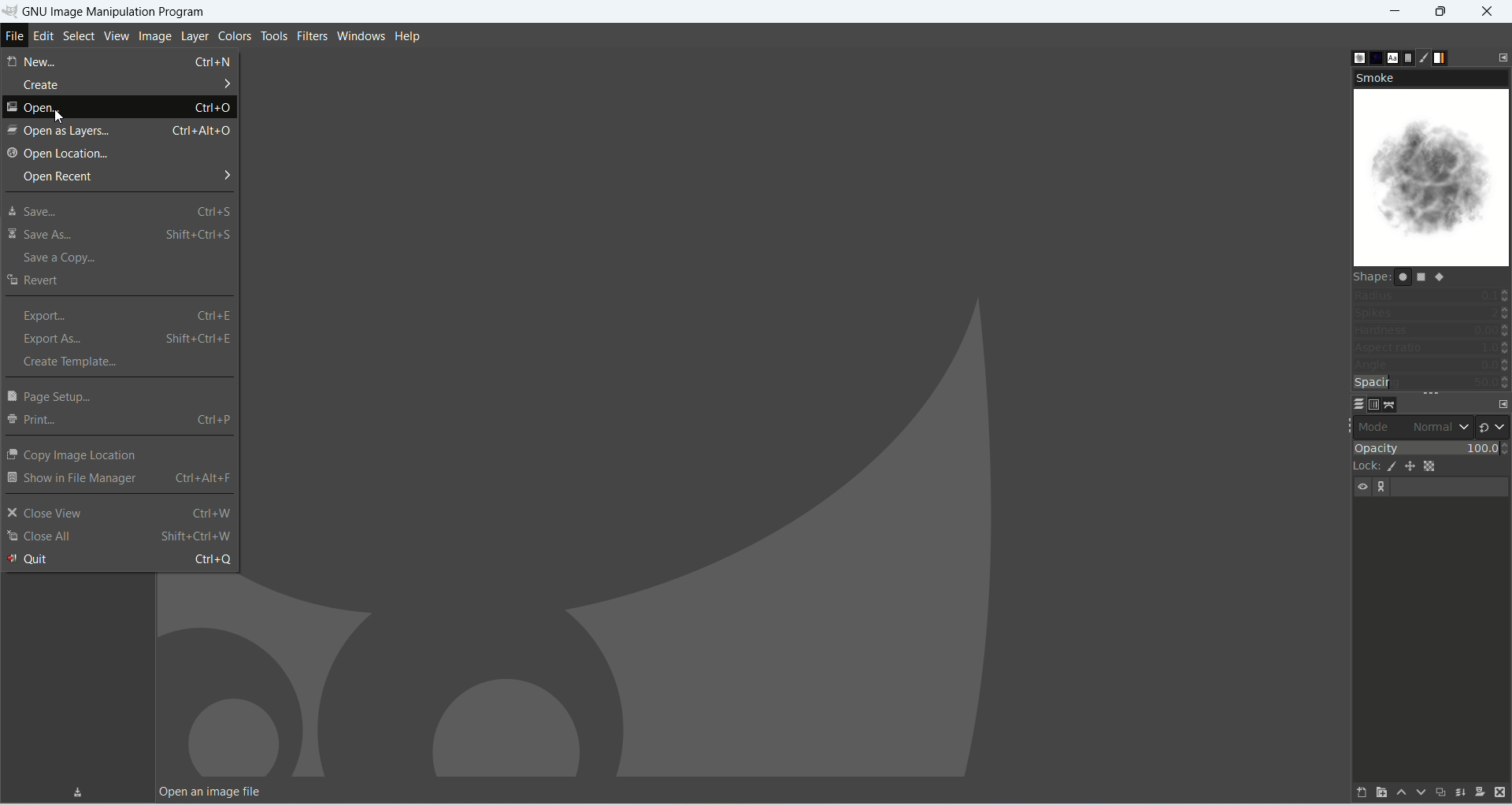  I want to click on add a mask, so click(1480, 791).